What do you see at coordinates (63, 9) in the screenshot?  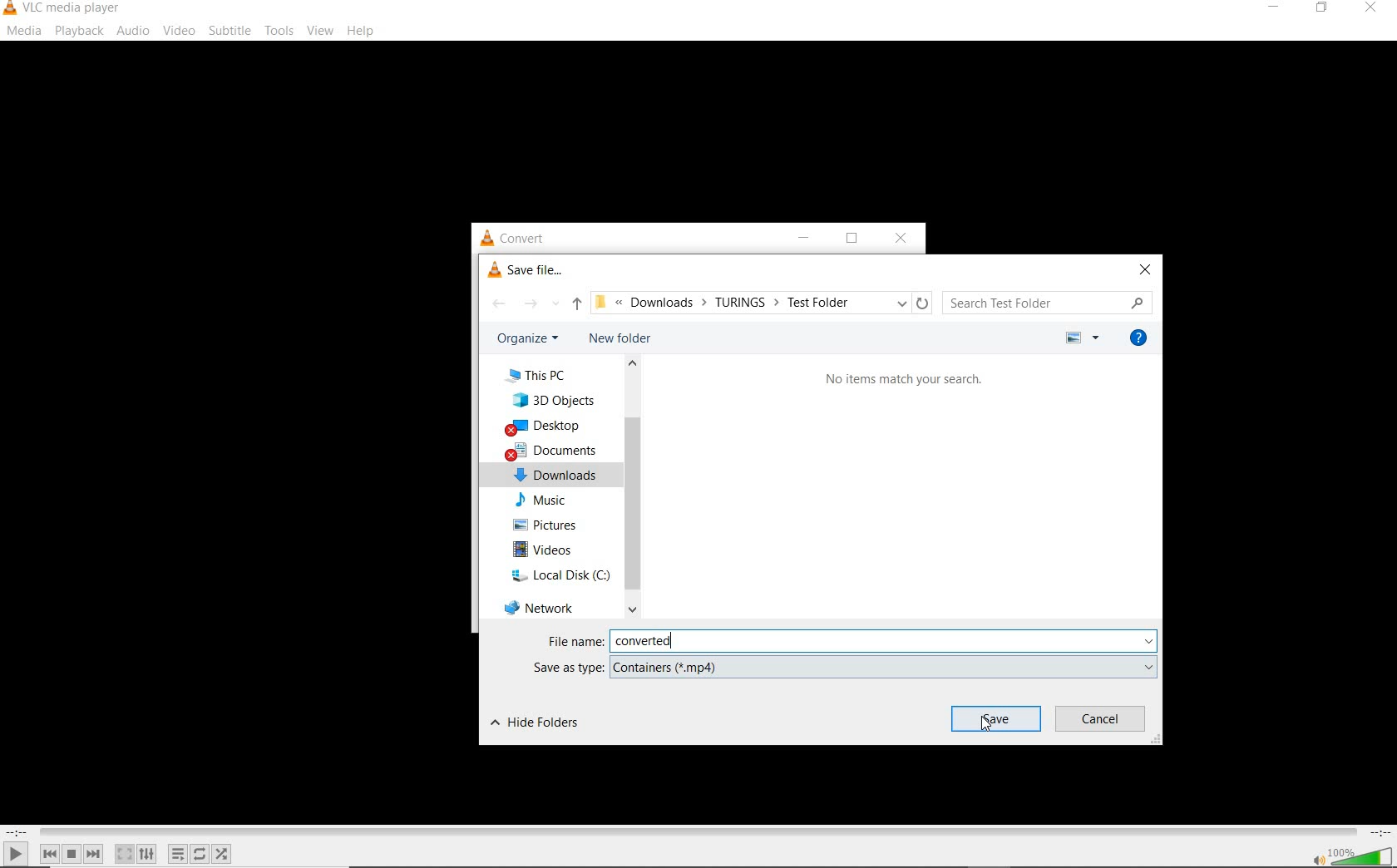 I see `system name` at bounding box center [63, 9].